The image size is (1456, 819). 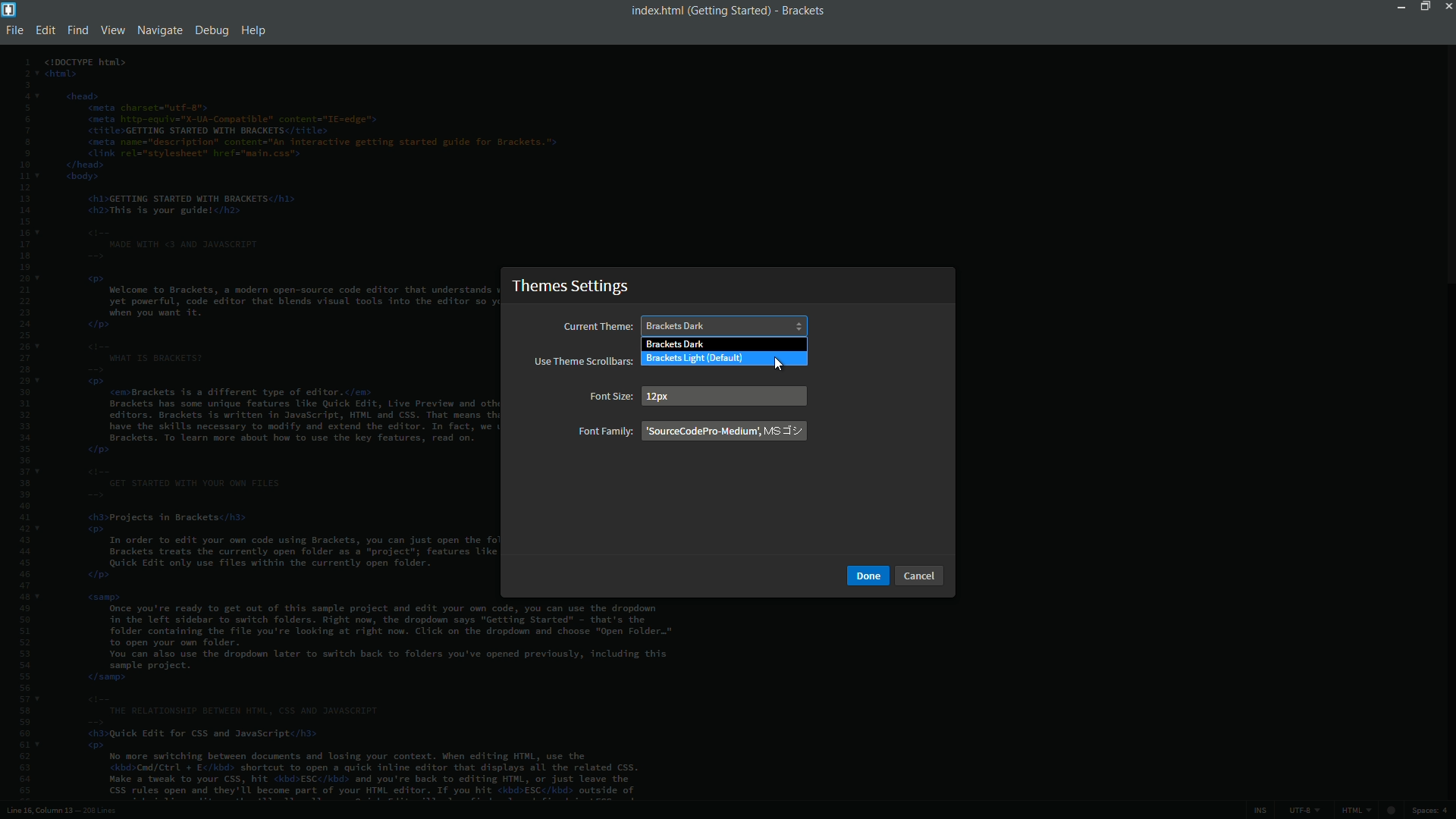 I want to click on cursor, so click(x=801, y=332).